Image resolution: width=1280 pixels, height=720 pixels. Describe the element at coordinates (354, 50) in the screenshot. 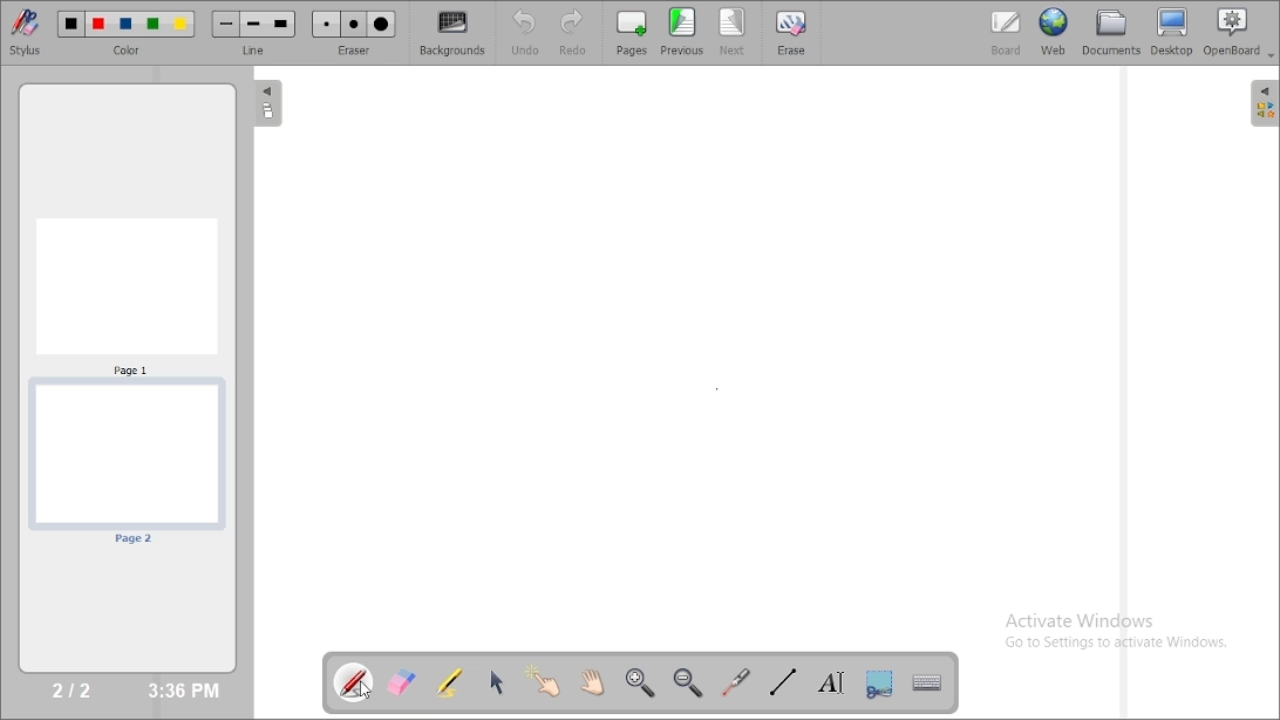

I see `eraser` at that location.